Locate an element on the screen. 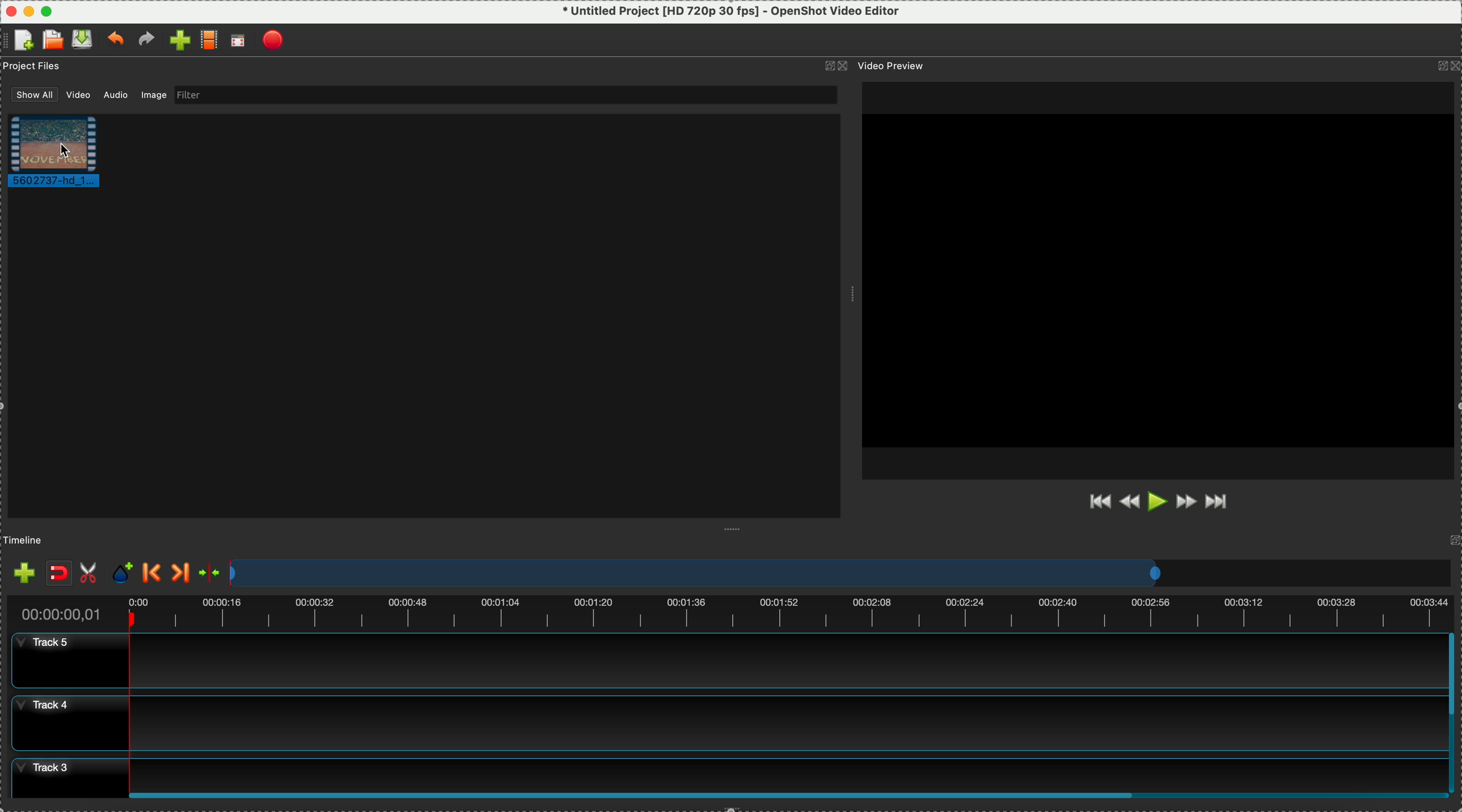 The width and height of the screenshot is (1462, 812). fast forward is located at coordinates (1186, 504).